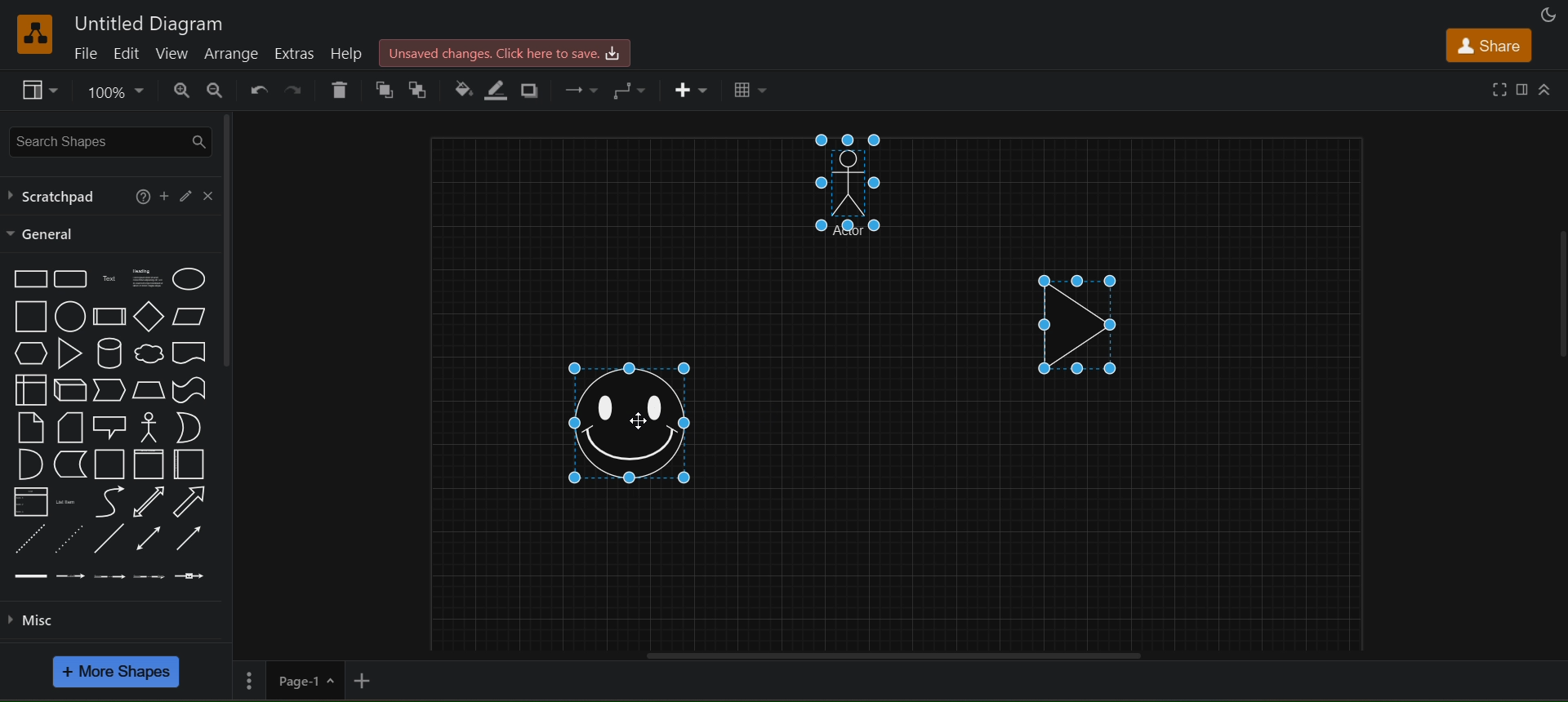  What do you see at coordinates (632, 89) in the screenshot?
I see `waypoints` at bounding box center [632, 89].